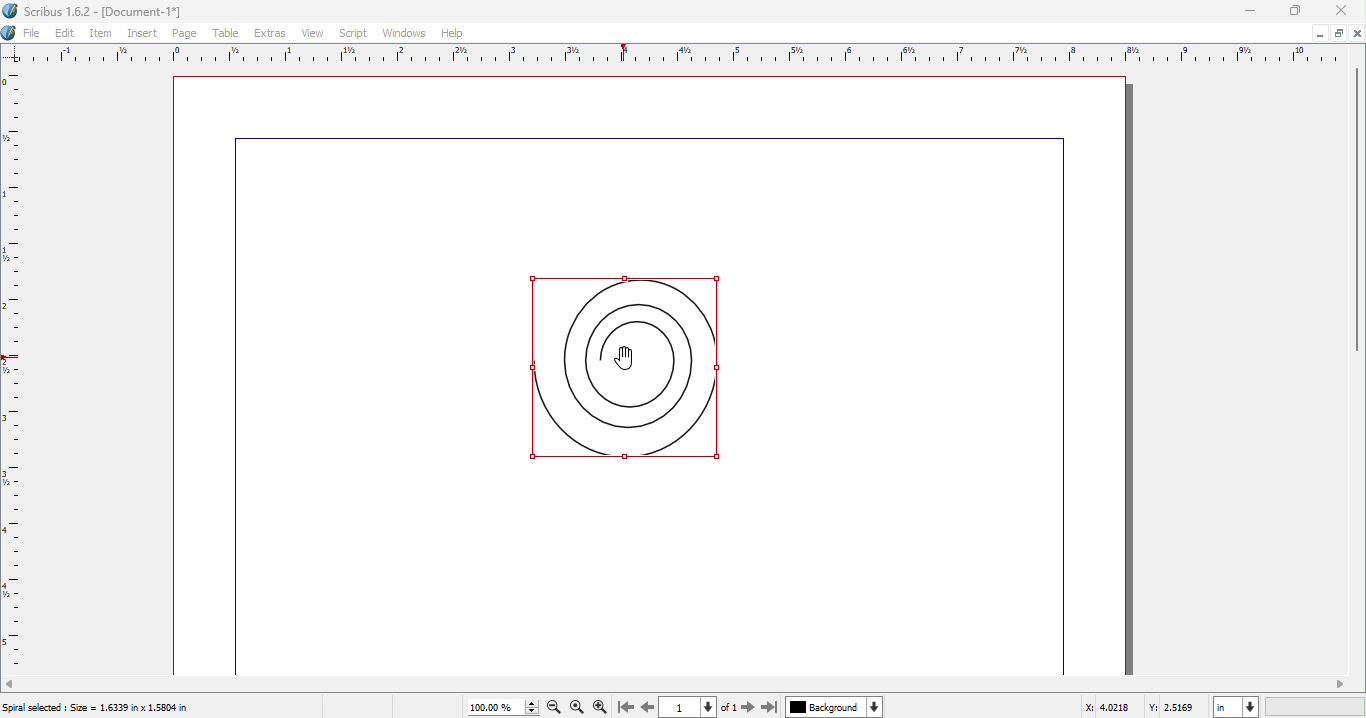  What do you see at coordinates (1112, 708) in the screenshot?
I see `X co-ordinate` at bounding box center [1112, 708].